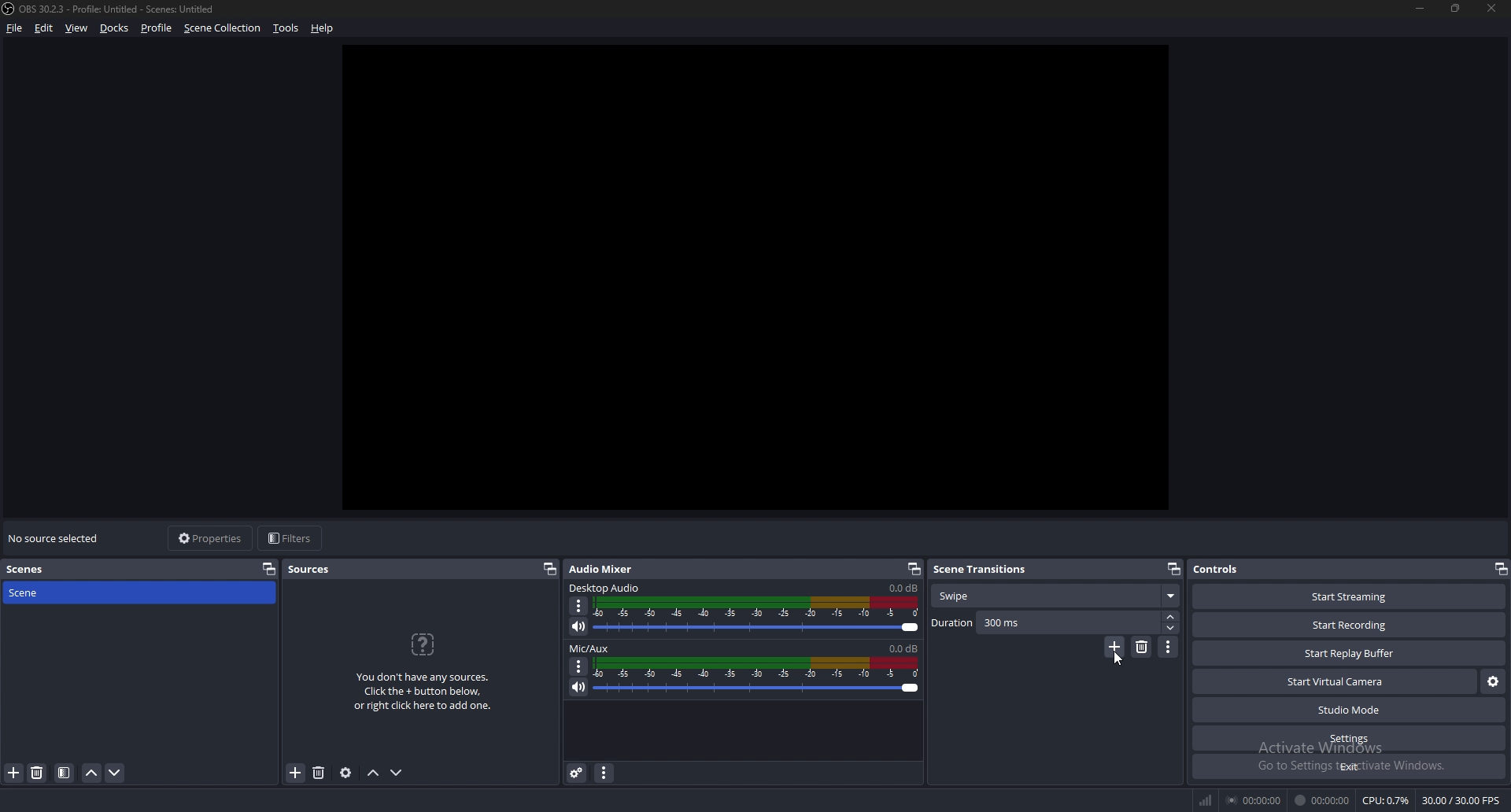 The image size is (1511, 812). What do you see at coordinates (577, 773) in the screenshot?
I see `advanced audio properties` at bounding box center [577, 773].